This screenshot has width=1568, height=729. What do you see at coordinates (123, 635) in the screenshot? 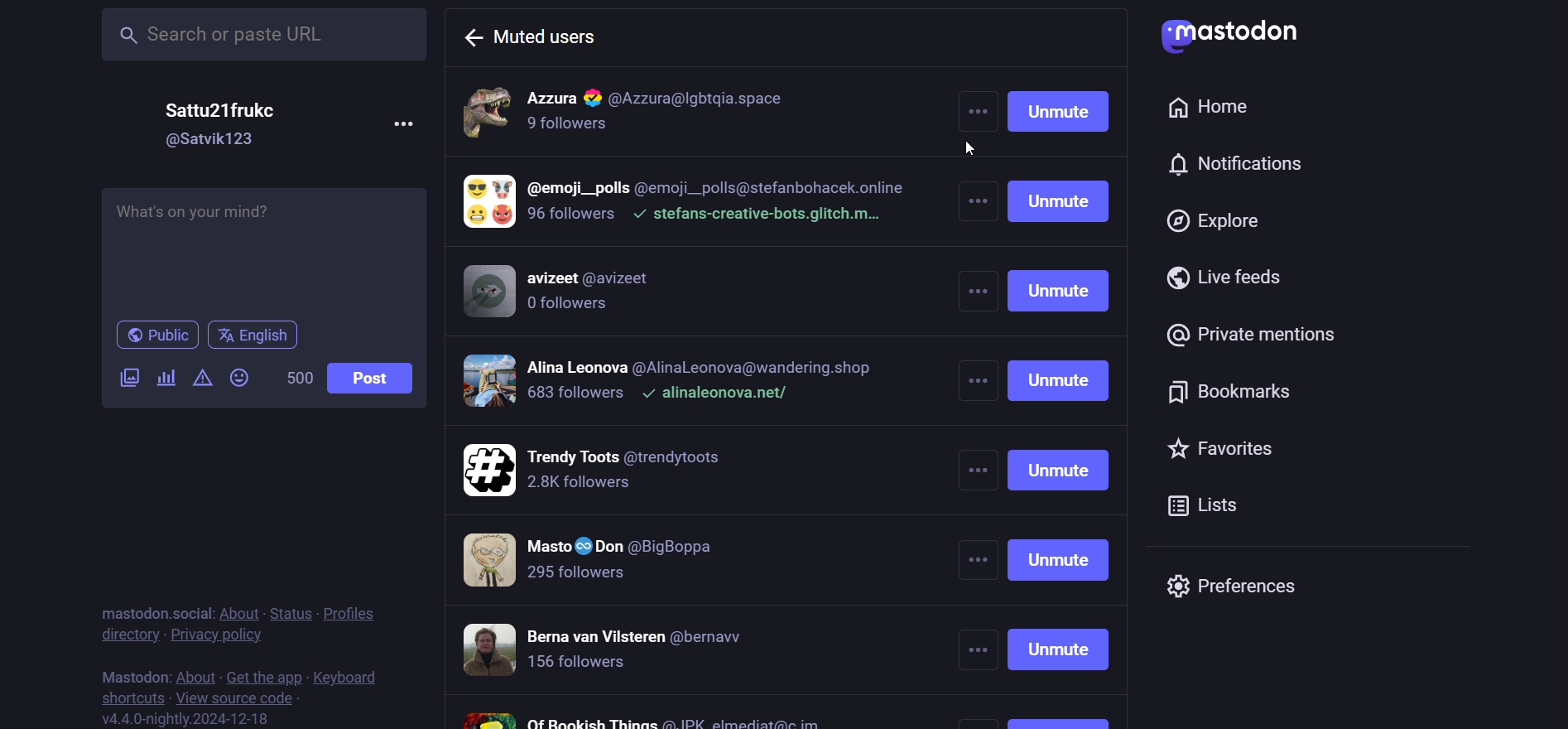
I see `directory` at bounding box center [123, 635].